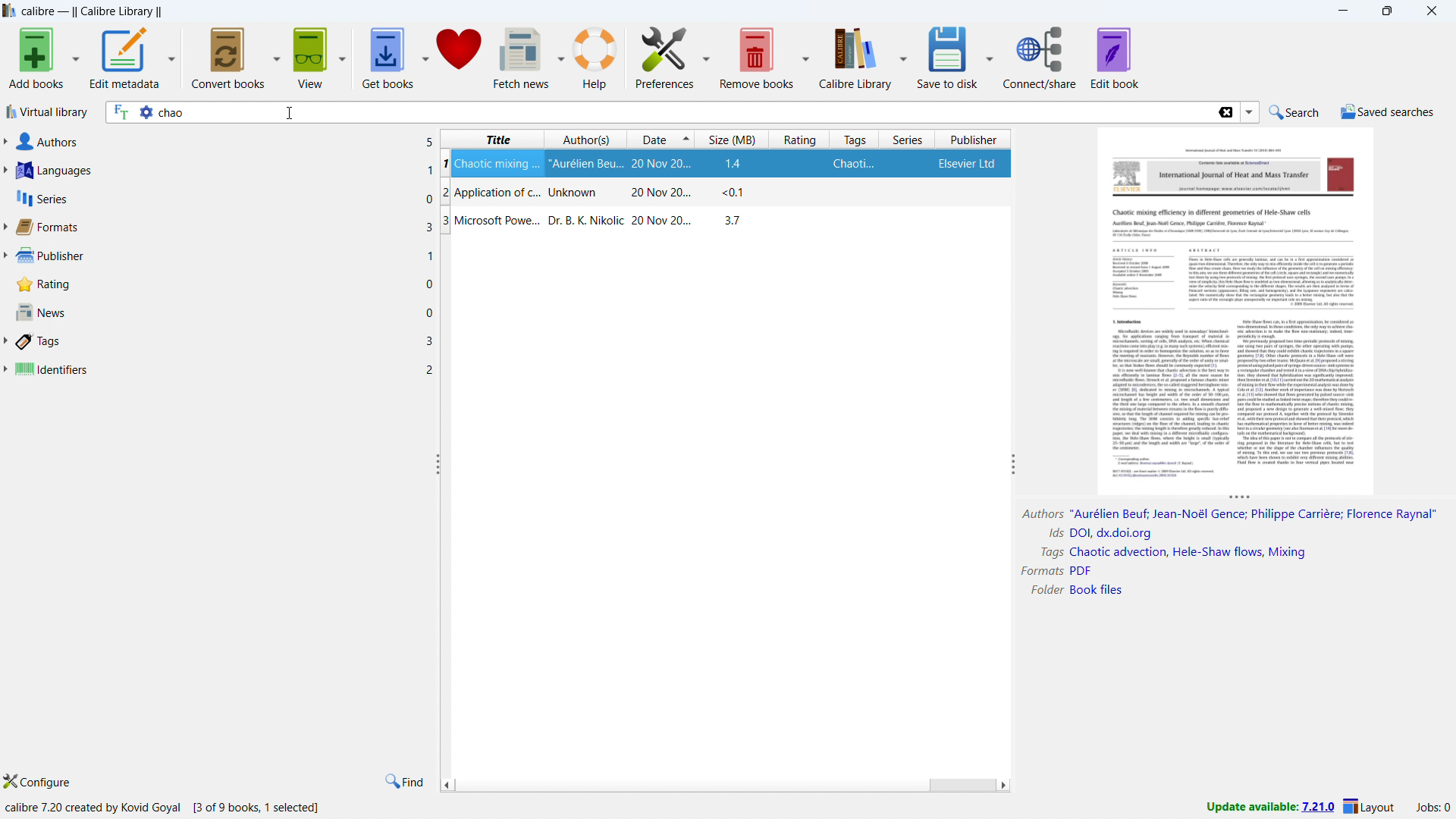  Describe the element at coordinates (5, 171) in the screenshot. I see `expand languages` at that location.